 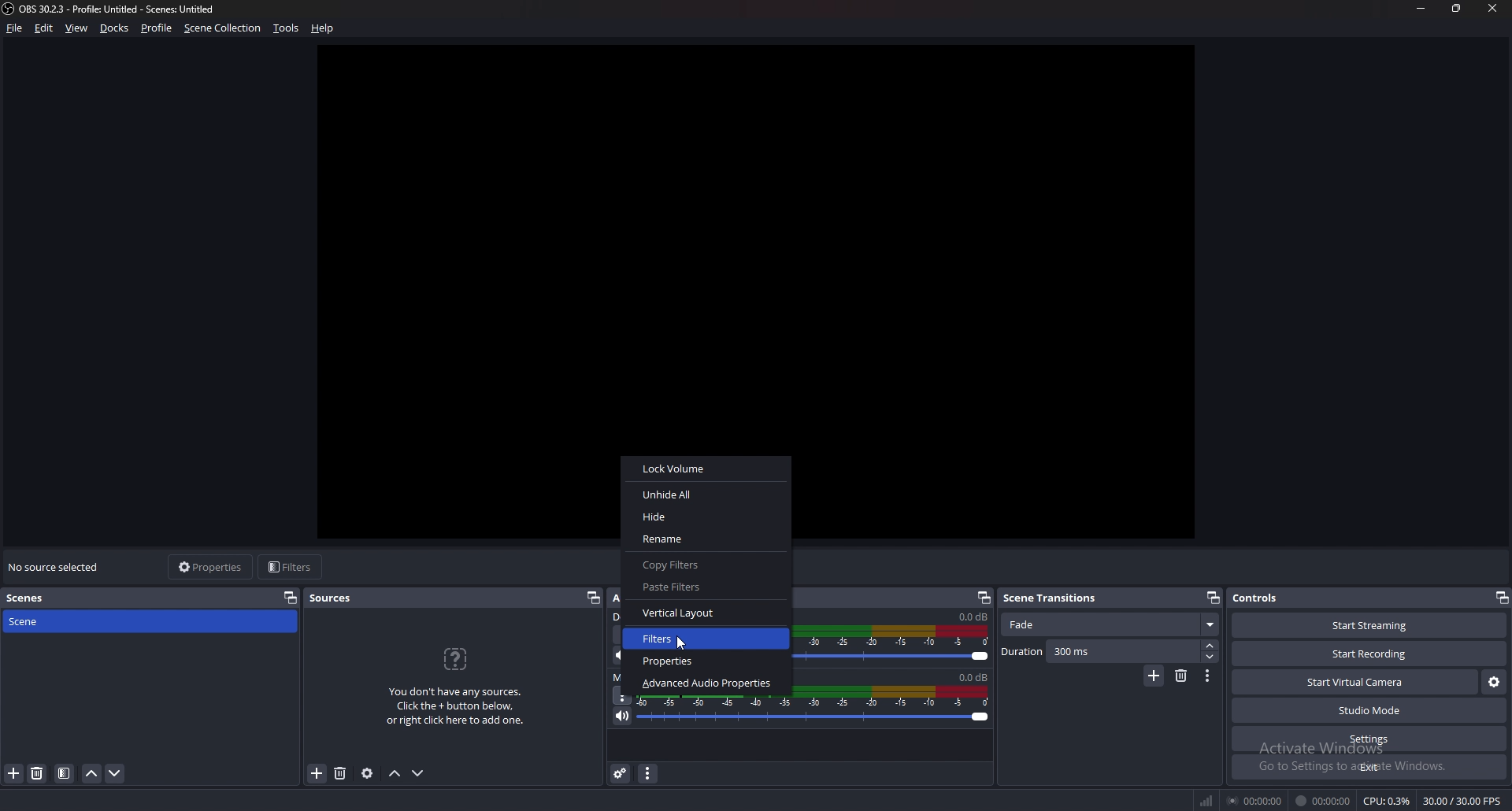 What do you see at coordinates (224, 28) in the screenshot?
I see `scene collection` at bounding box center [224, 28].